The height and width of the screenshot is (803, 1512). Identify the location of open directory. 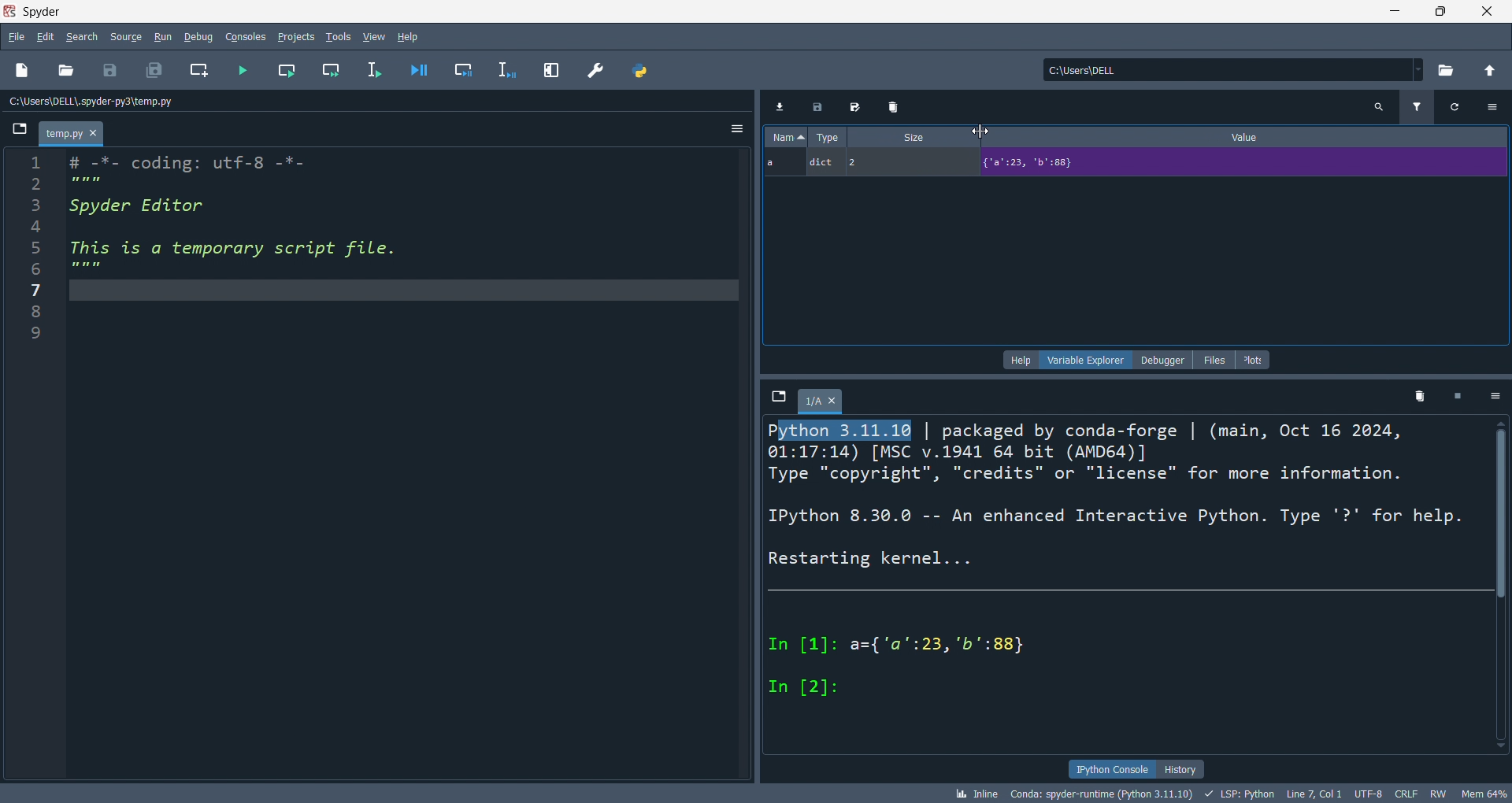
(1441, 71).